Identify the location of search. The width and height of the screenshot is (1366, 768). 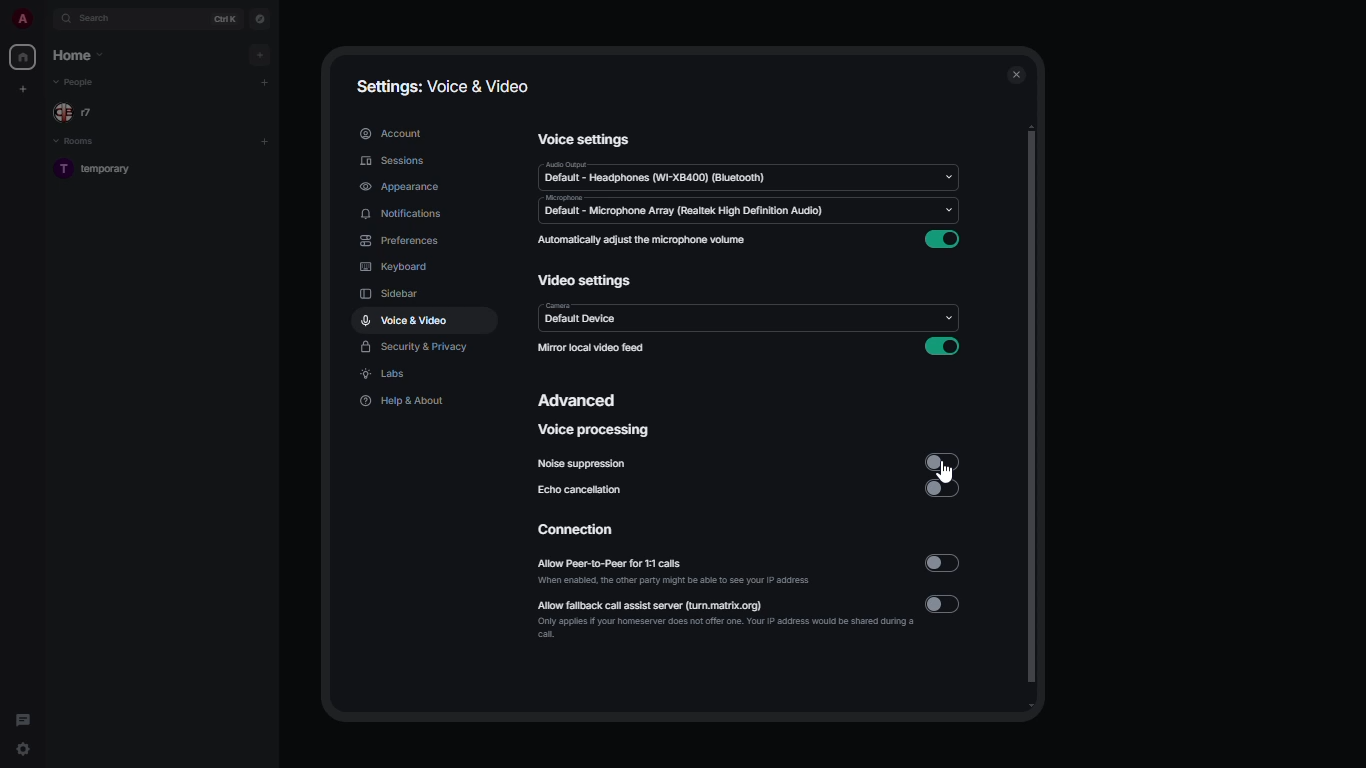
(106, 19).